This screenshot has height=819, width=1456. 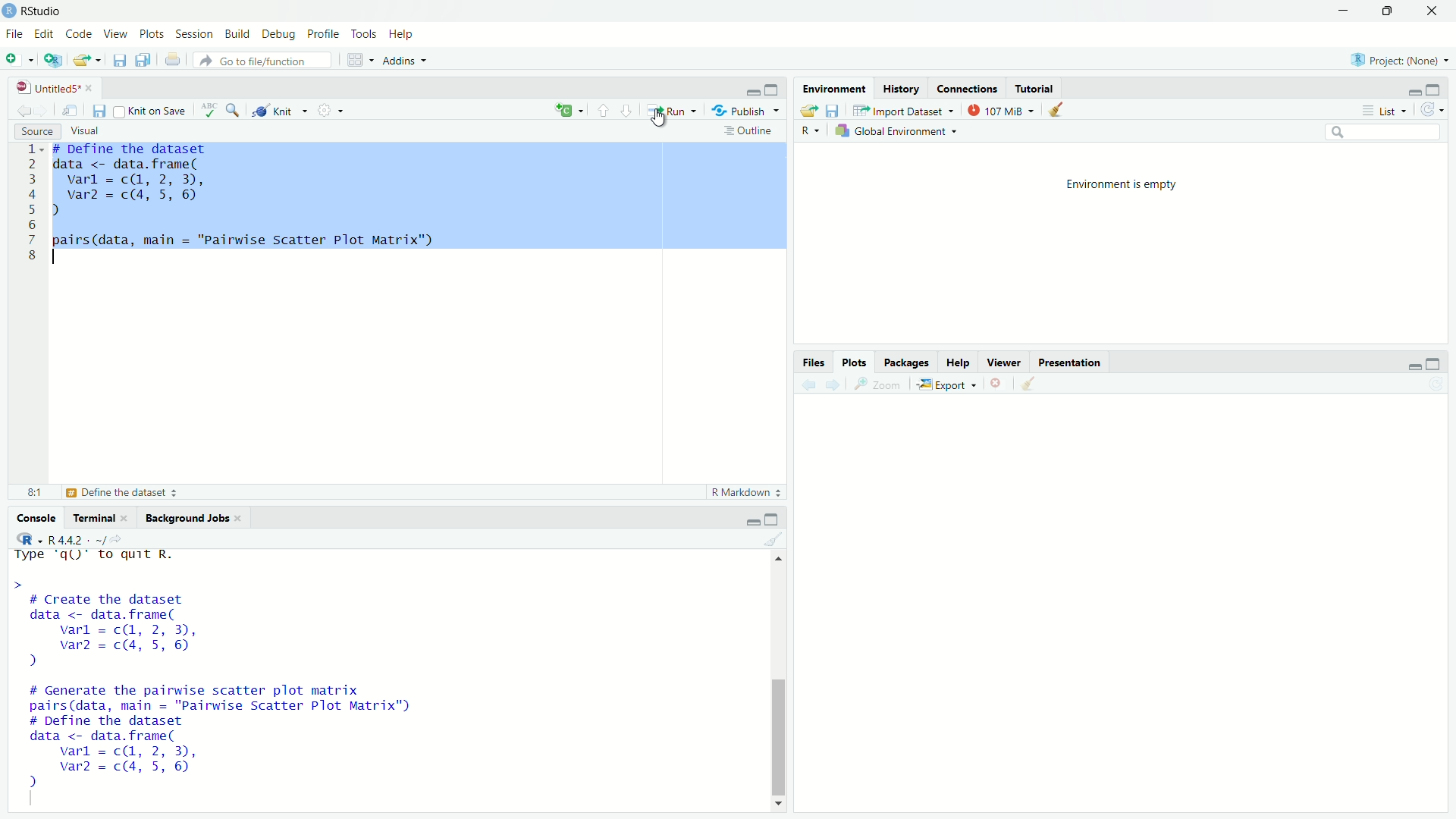 I want to click on Minimize, so click(x=1415, y=93).